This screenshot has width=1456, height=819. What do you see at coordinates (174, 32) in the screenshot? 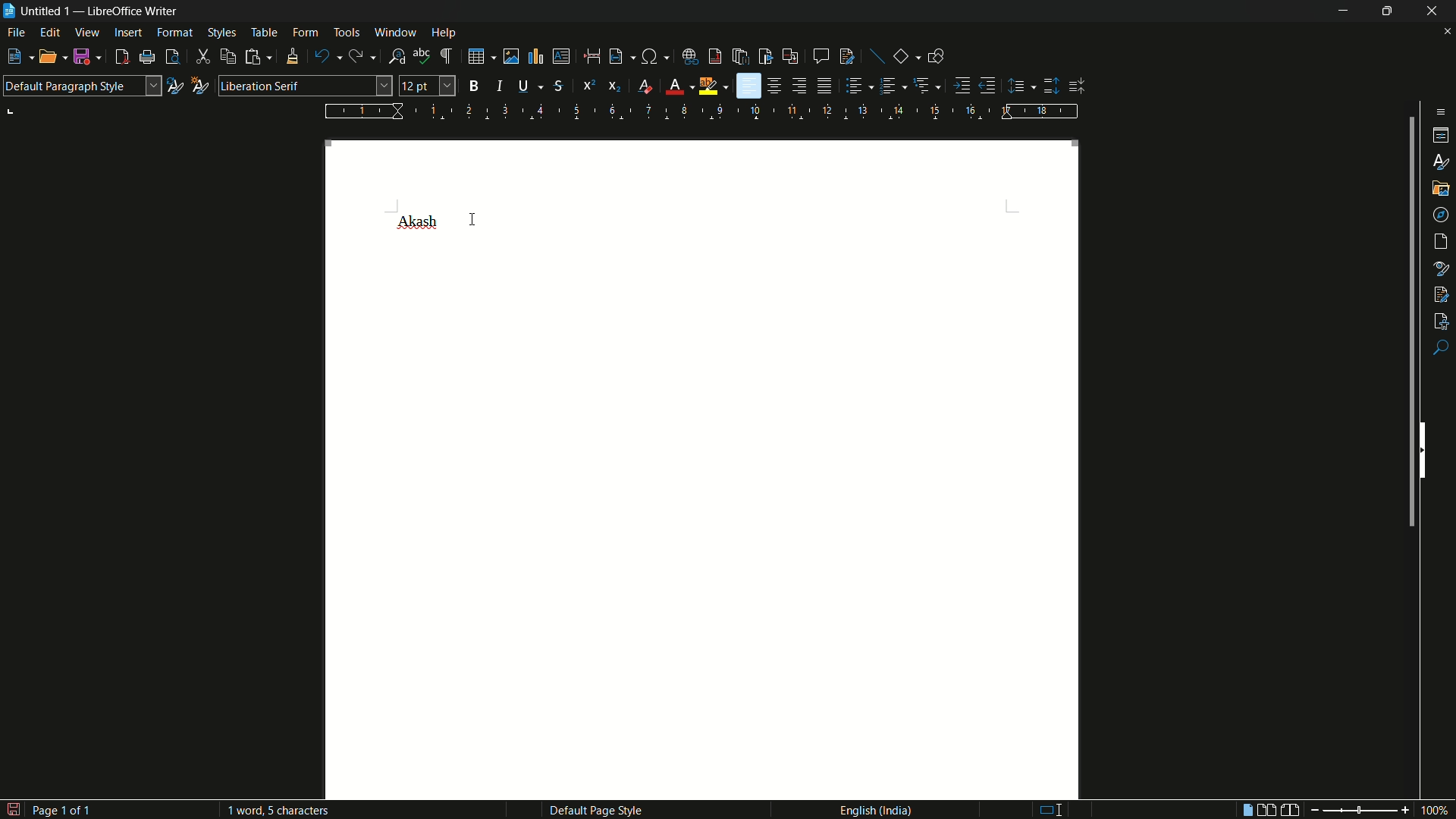
I see `format menu` at bounding box center [174, 32].